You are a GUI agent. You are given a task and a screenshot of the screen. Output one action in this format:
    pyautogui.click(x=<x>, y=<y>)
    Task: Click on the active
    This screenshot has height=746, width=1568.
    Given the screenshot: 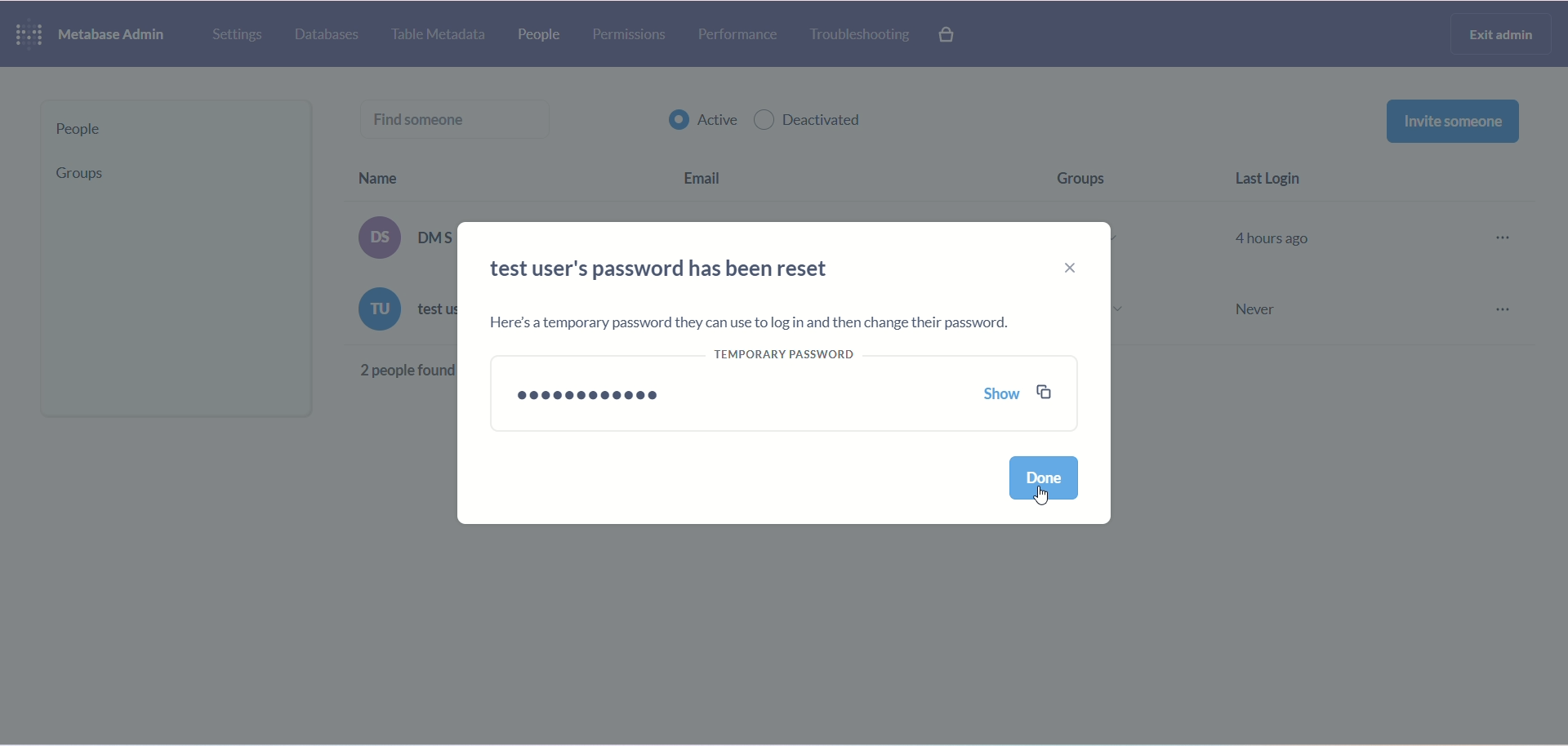 What is the action you would take?
    pyautogui.click(x=703, y=123)
    